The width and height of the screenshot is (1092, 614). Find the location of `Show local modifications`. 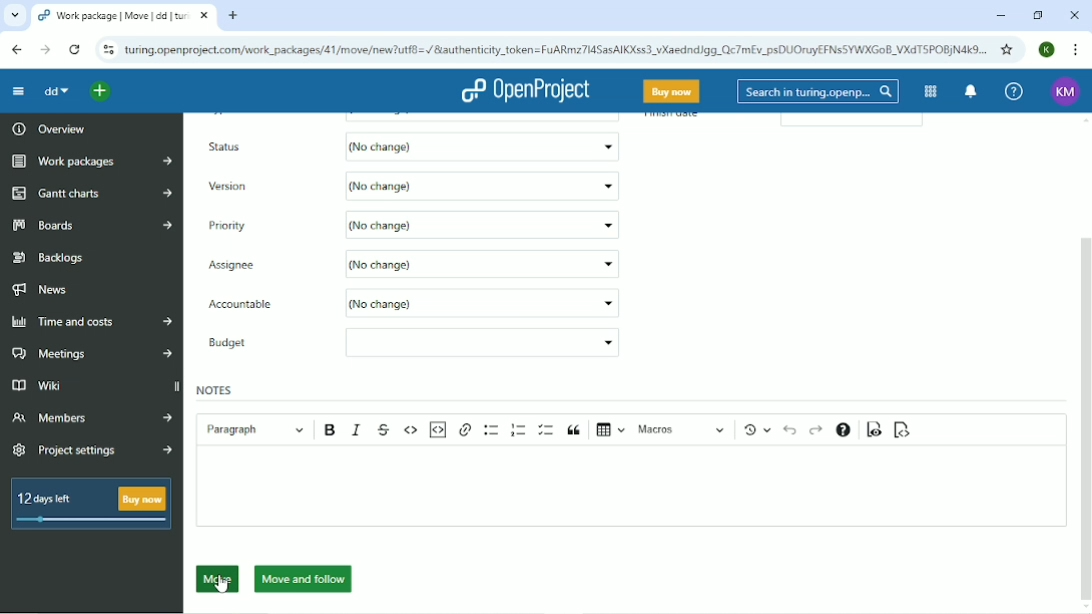

Show local modifications is located at coordinates (761, 431).